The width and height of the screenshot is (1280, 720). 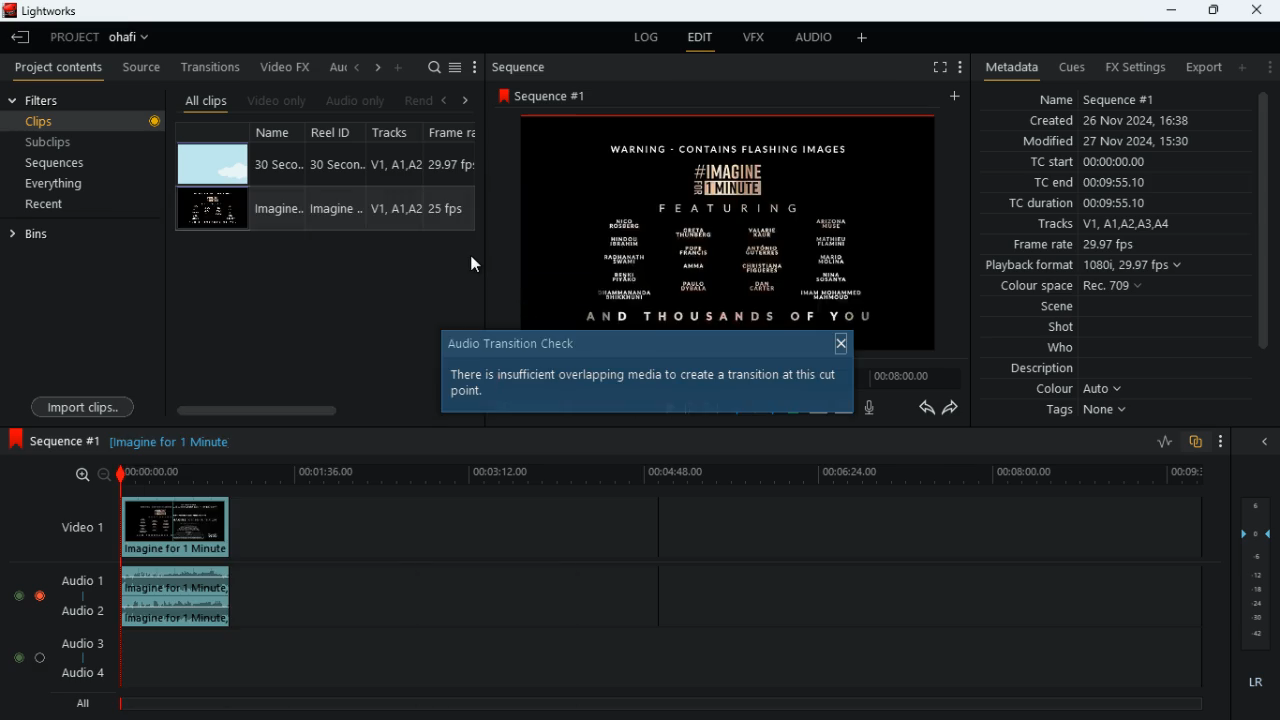 What do you see at coordinates (182, 598) in the screenshot?
I see `audio` at bounding box center [182, 598].